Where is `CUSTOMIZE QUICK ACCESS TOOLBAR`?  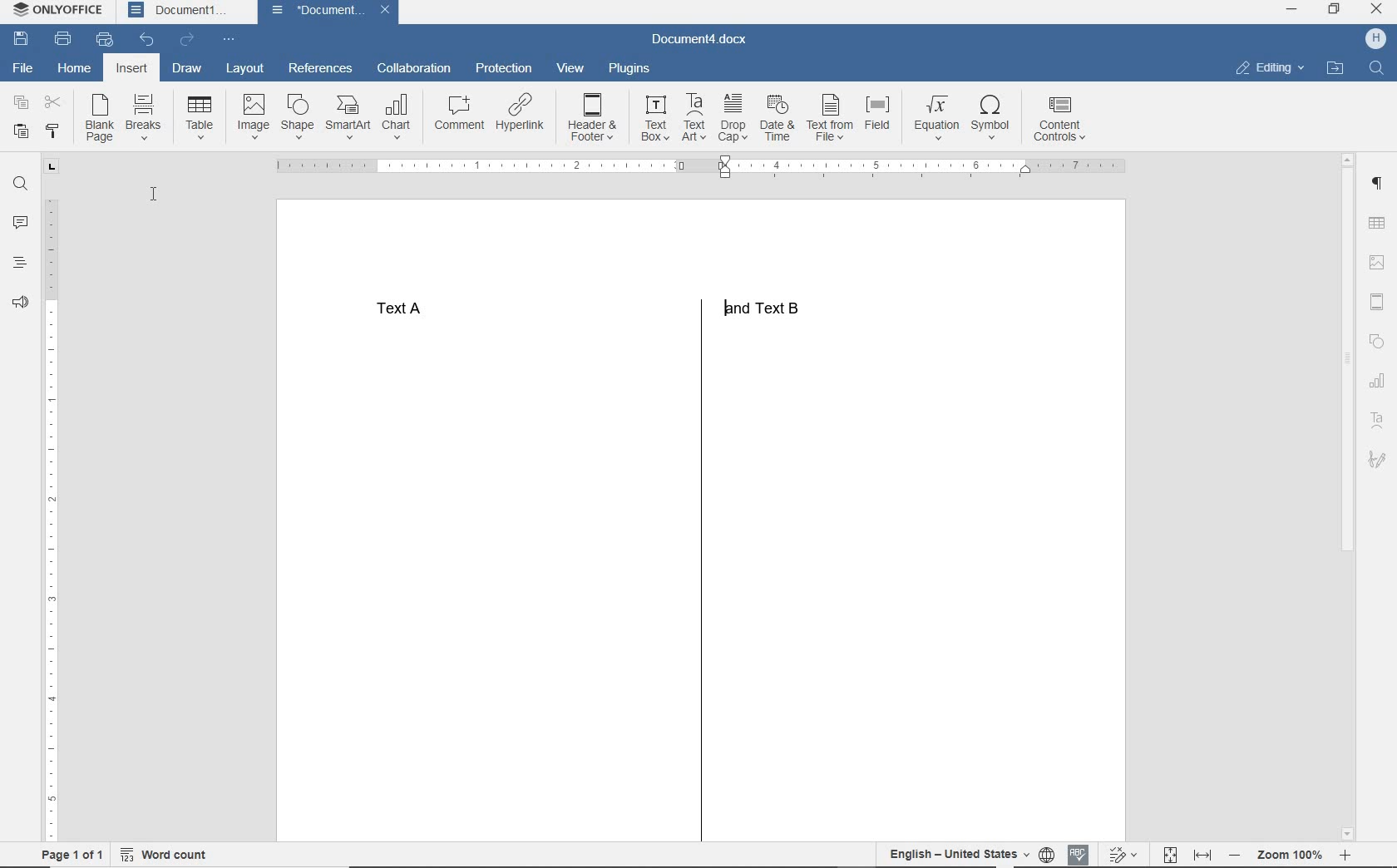
CUSTOMIZE QUICK ACCESS TOOLBAR is located at coordinates (231, 37).